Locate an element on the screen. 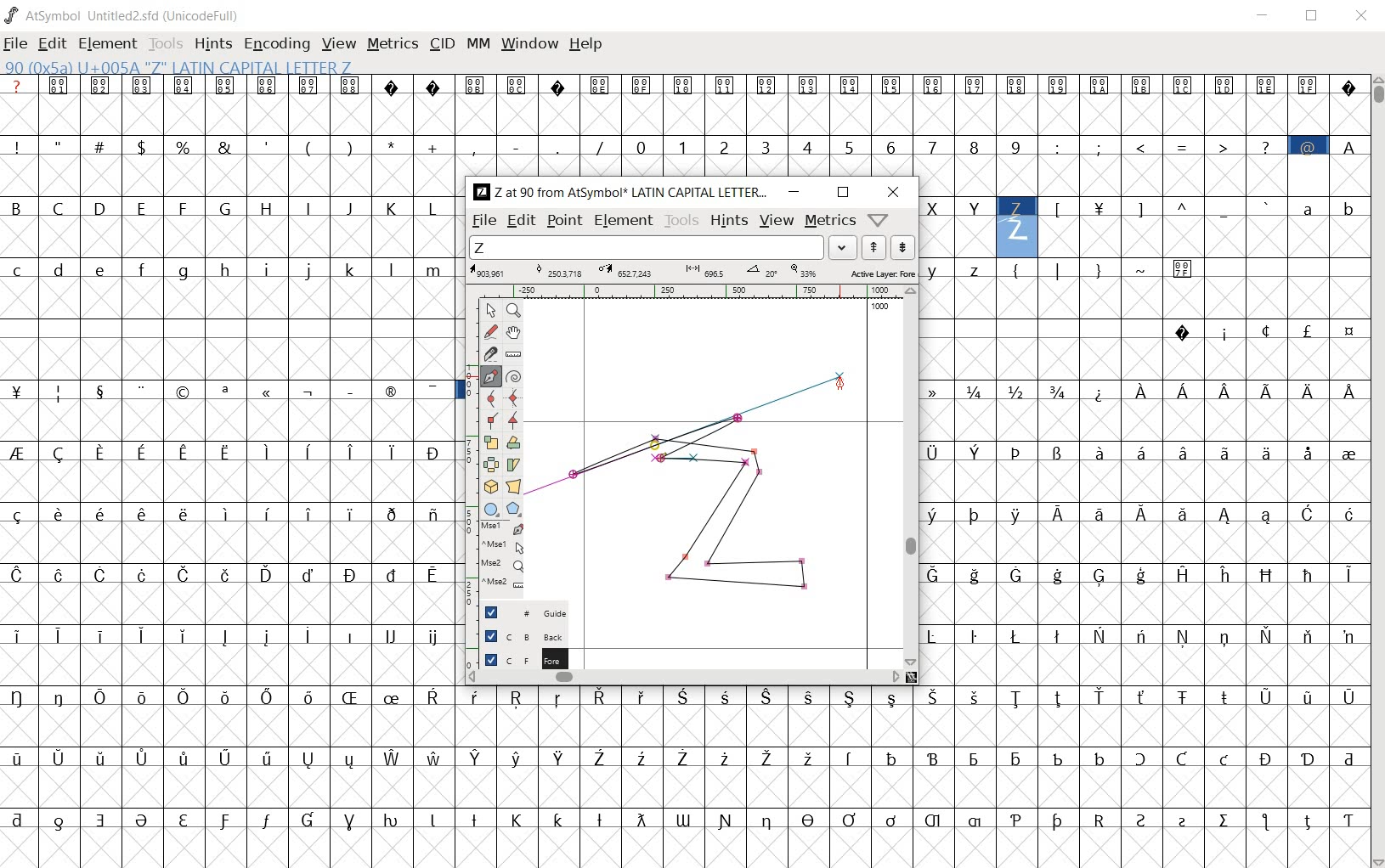 The width and height of the screenshot is (1385, 868). close is located at coordinates (894, 194).